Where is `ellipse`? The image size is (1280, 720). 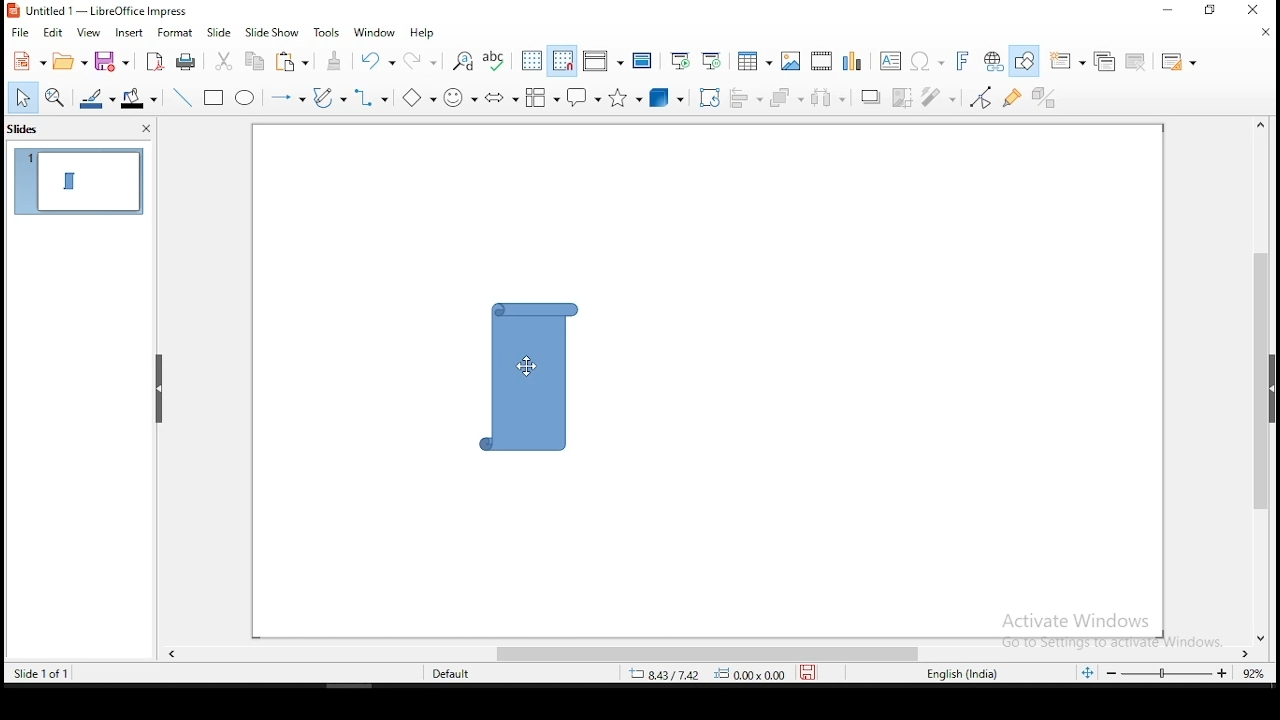 ellipse is located at coordinates (247, 99).